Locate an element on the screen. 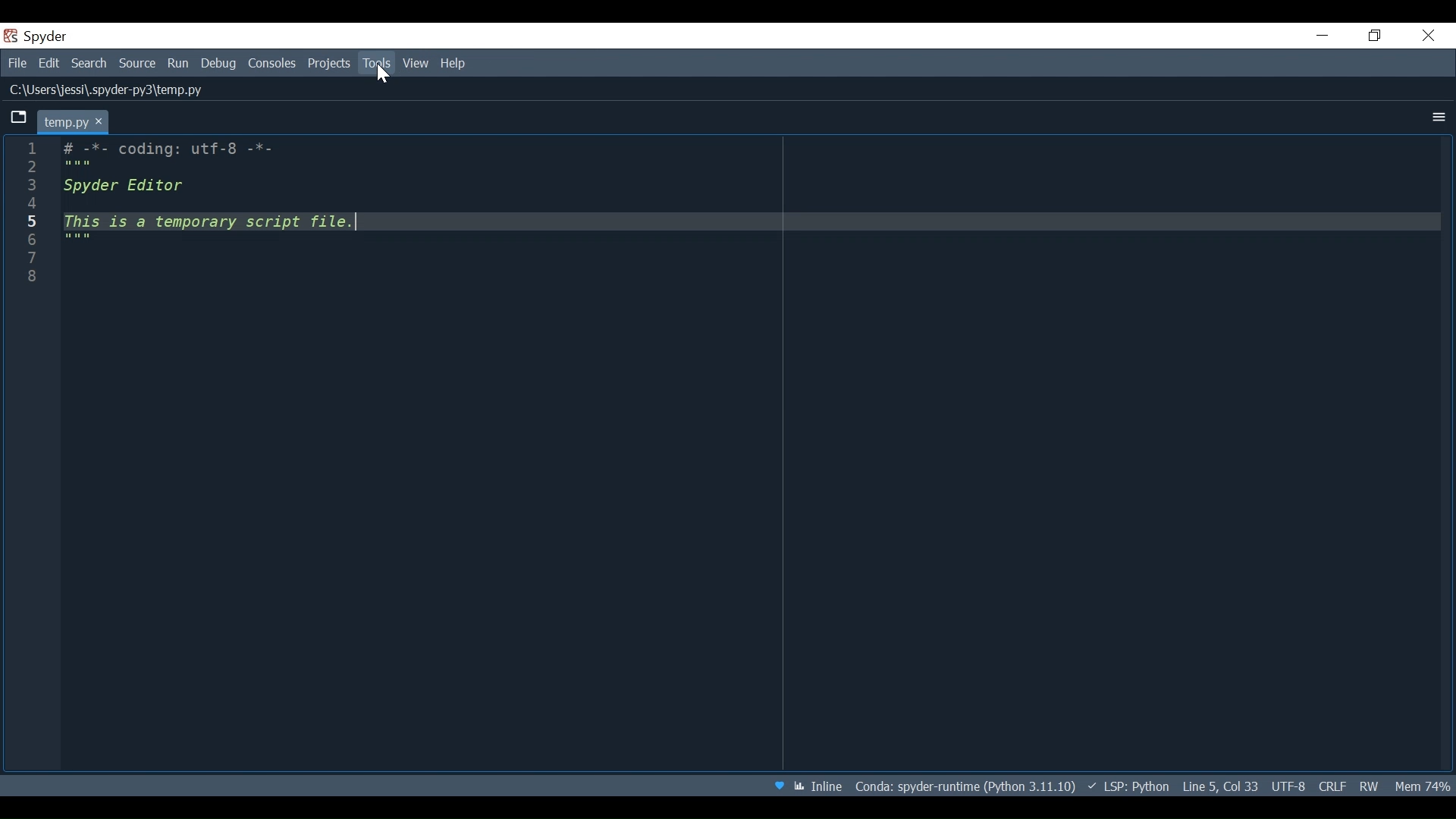  Help Spyder is located at coordinates (780, 784).